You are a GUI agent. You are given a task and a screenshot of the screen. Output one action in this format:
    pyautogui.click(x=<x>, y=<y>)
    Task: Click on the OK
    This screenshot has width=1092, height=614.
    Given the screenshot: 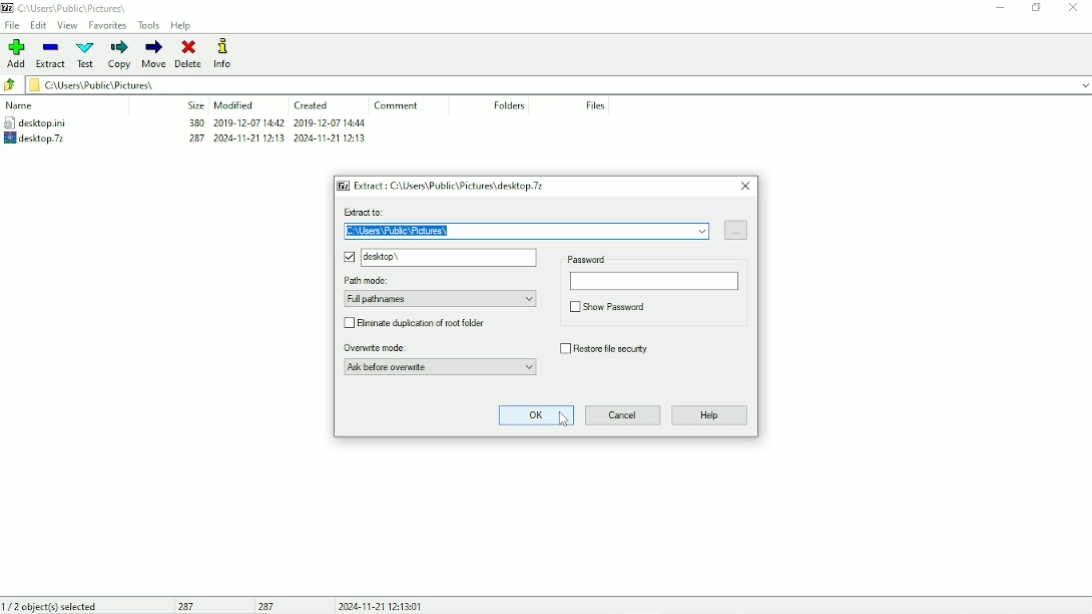 What is the action you would take?
    pyautogui.click(x=536, y=416)
    